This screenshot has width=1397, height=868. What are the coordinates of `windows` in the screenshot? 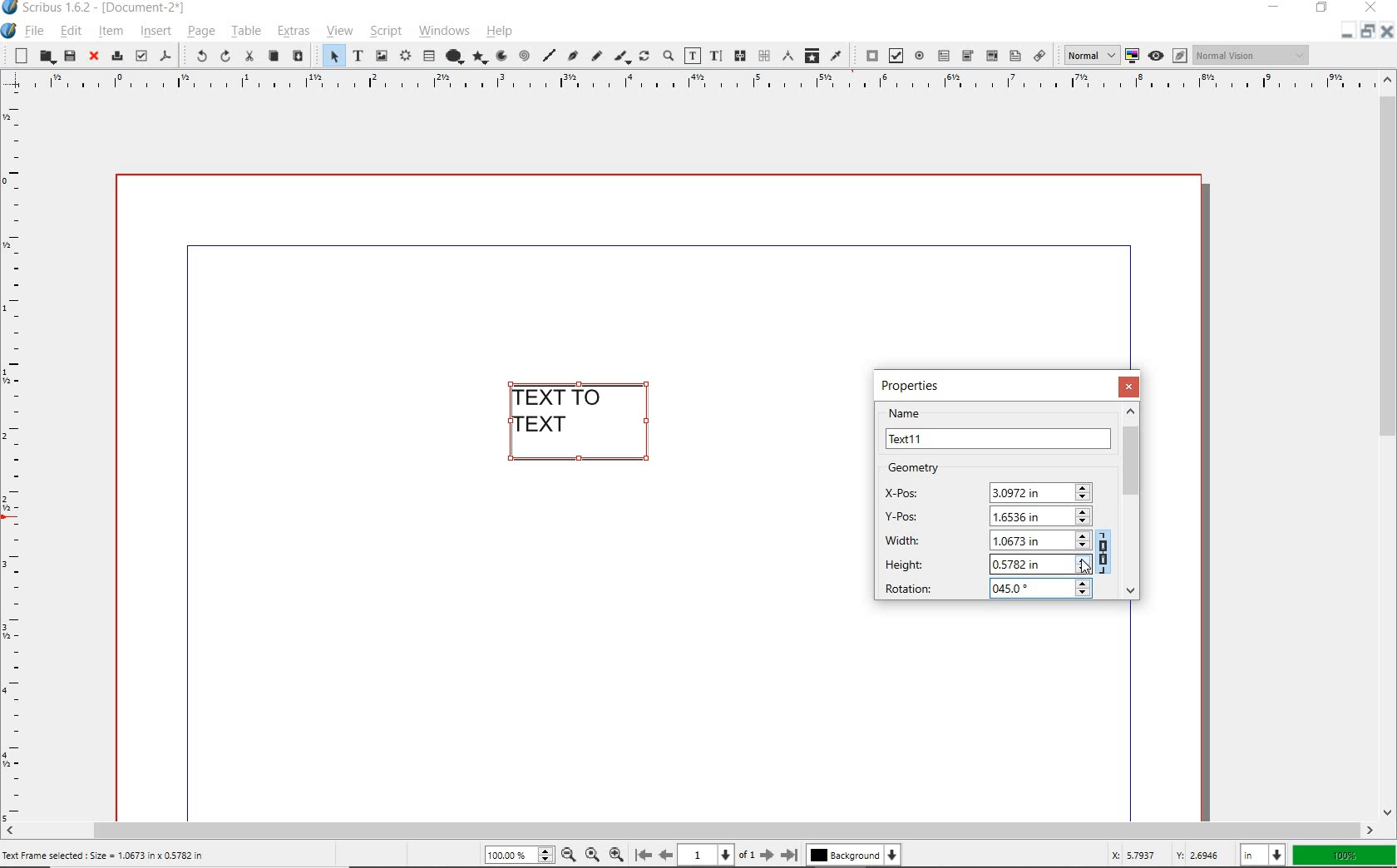 It's located at (444, 32).